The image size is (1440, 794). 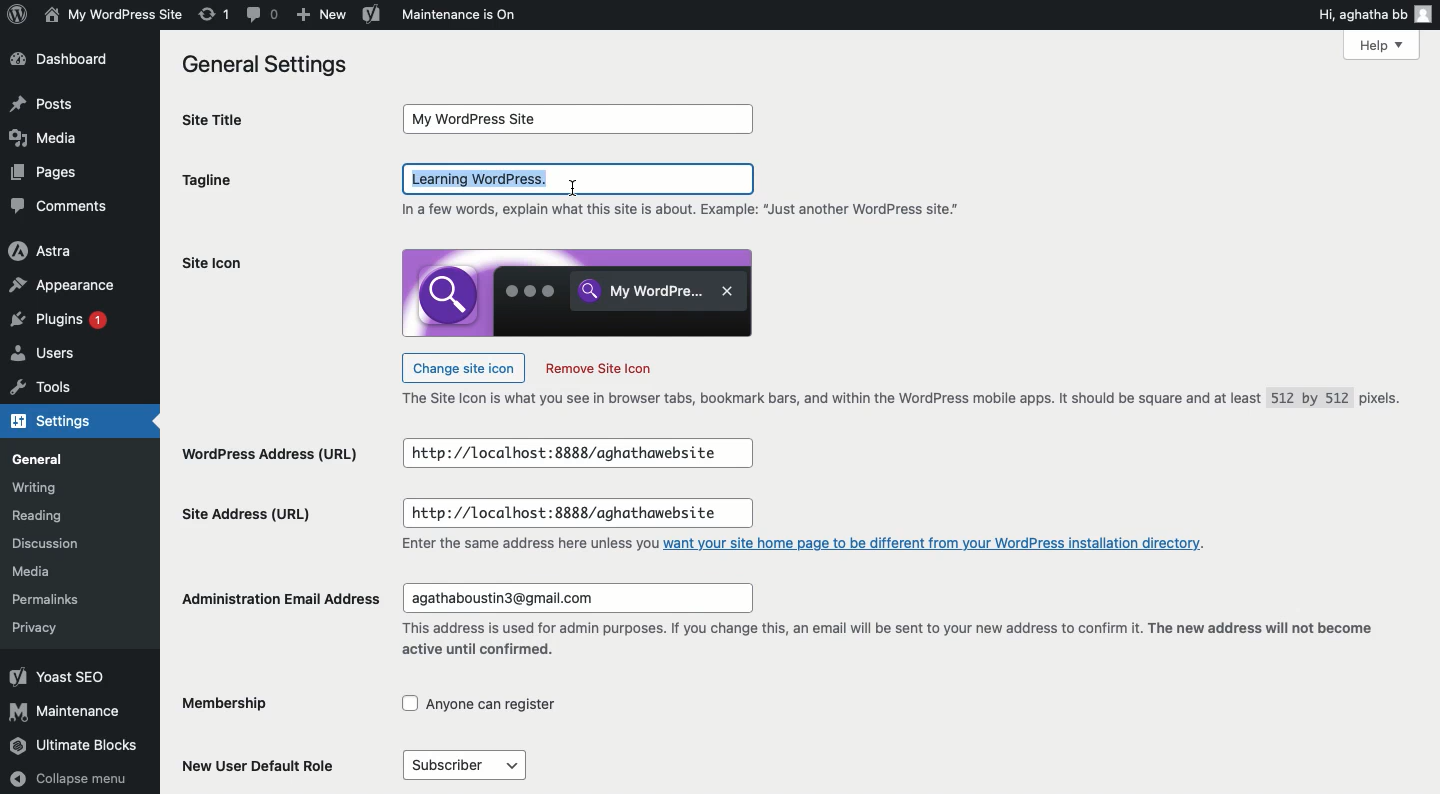 What do you see at coordinates (111, 14) in the screenshot?
I see `My WordPress Site` at bounding box center [111, 14].